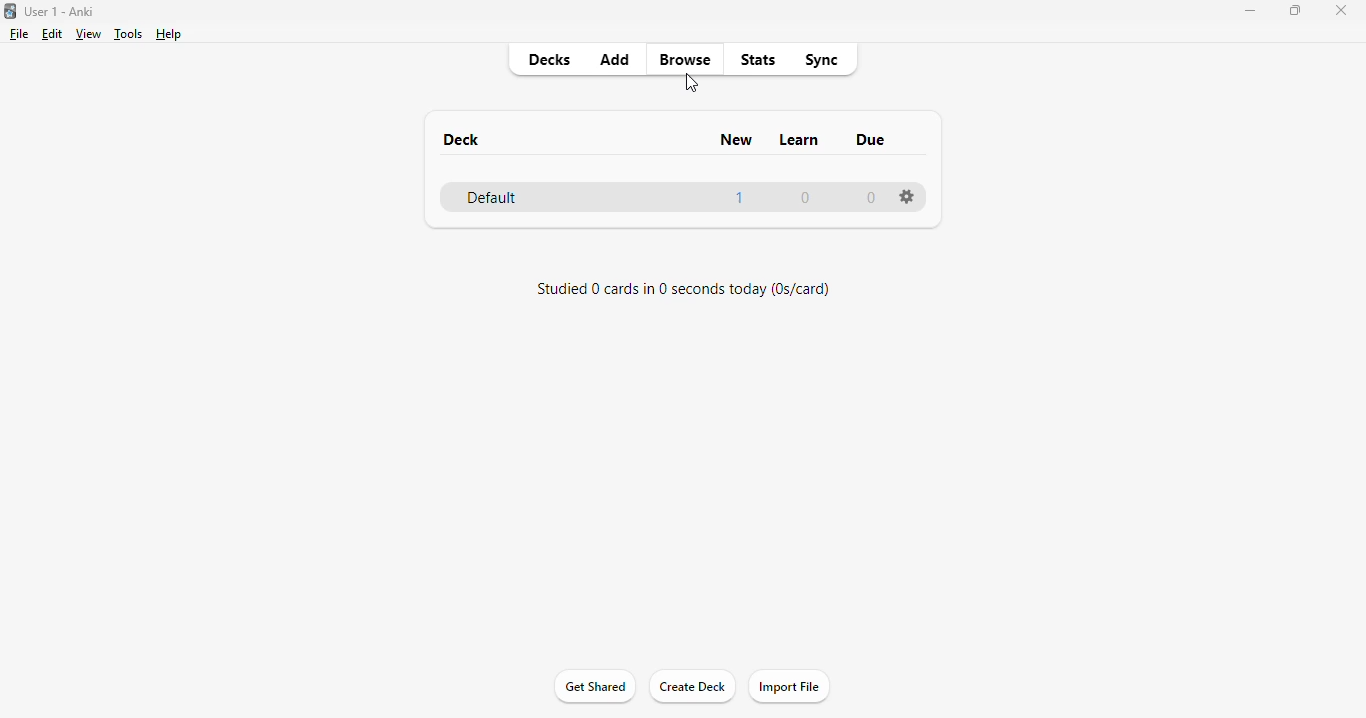 The width and height of the screenshot is (1366, 718). What do you see at coordinates (491, 198) in the screenshot?
I see `default` at bounding box center [491, 198].